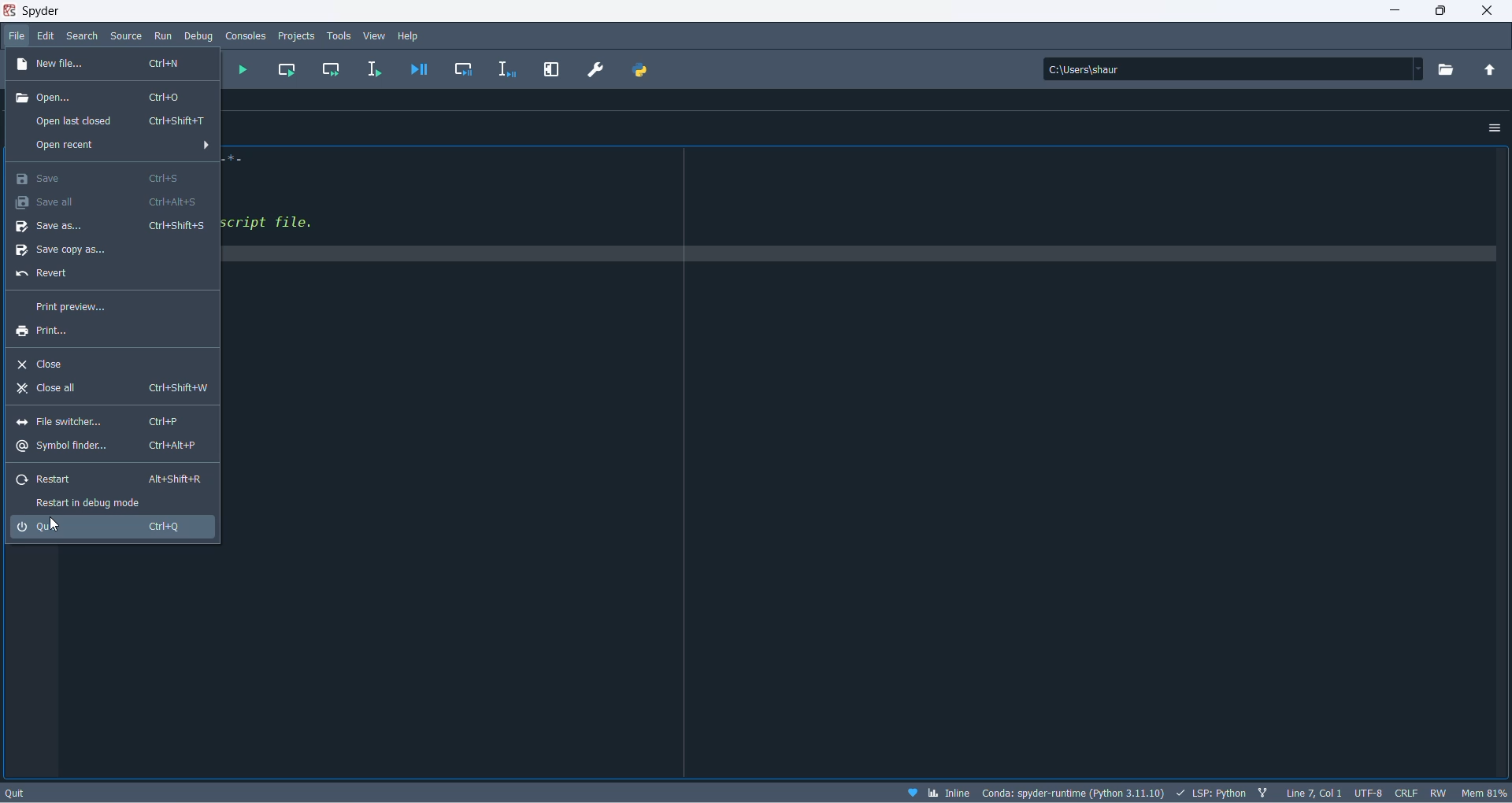 The width and height of the screenshot is (1512, 803). I want to click on spyder application name, so click(34, 12).